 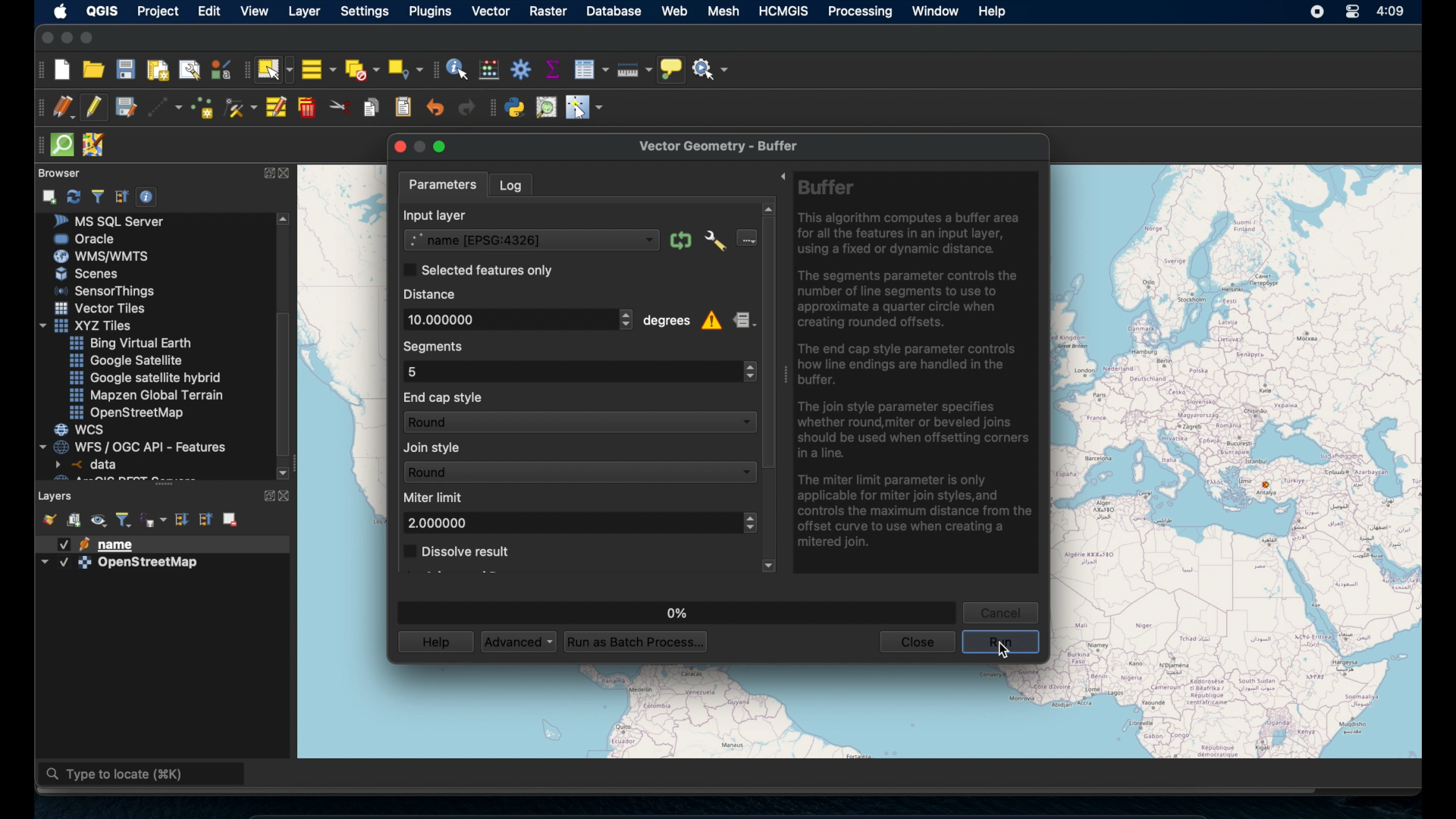 I want to click on measure line, so click(x=633, y=71).